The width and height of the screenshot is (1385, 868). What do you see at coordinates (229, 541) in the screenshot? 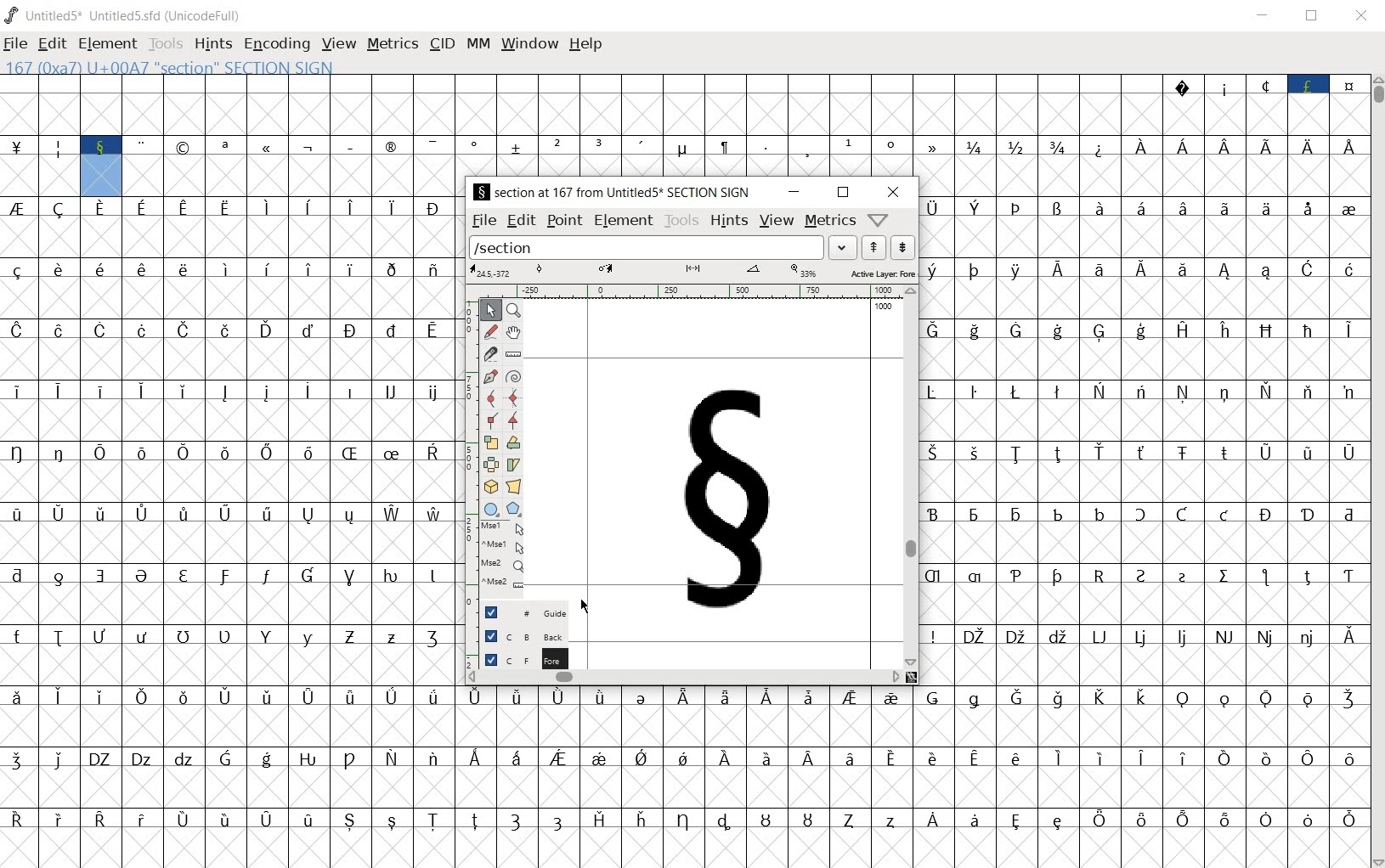
I see `empty cells` at bounding box center [229, 541].